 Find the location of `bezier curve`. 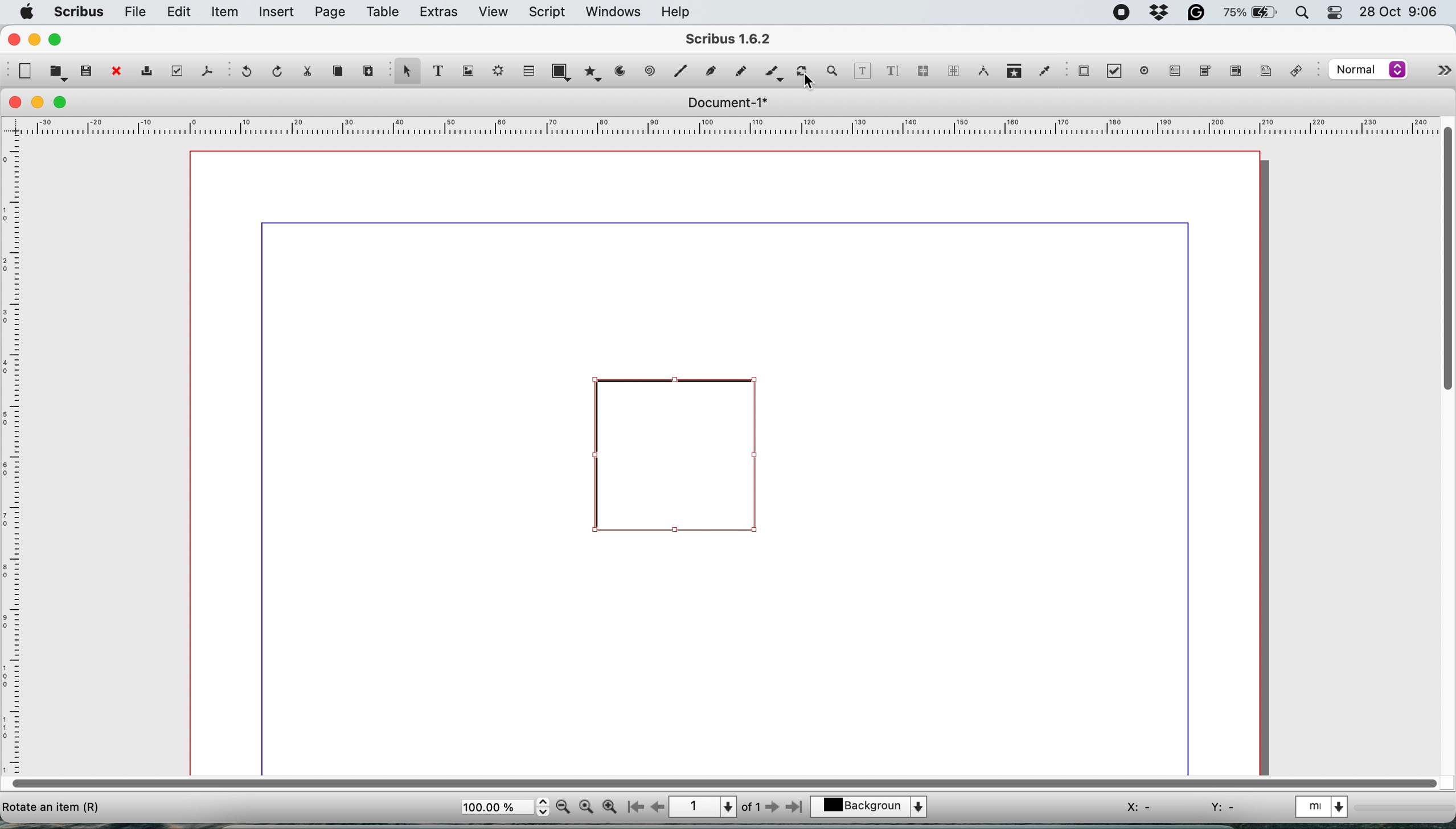

bezier curve is located at coordinates (712, 69).